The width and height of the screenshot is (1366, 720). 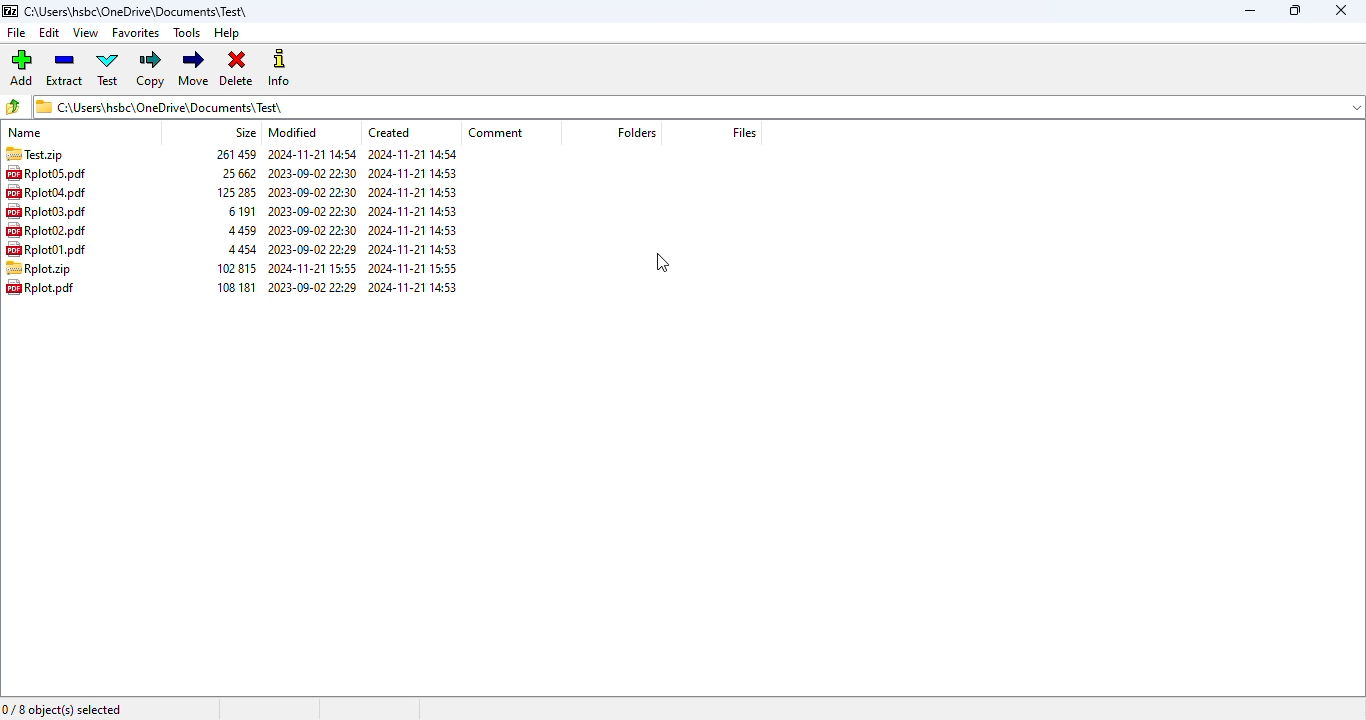 I want to click on size, so click(x=234, y=221).